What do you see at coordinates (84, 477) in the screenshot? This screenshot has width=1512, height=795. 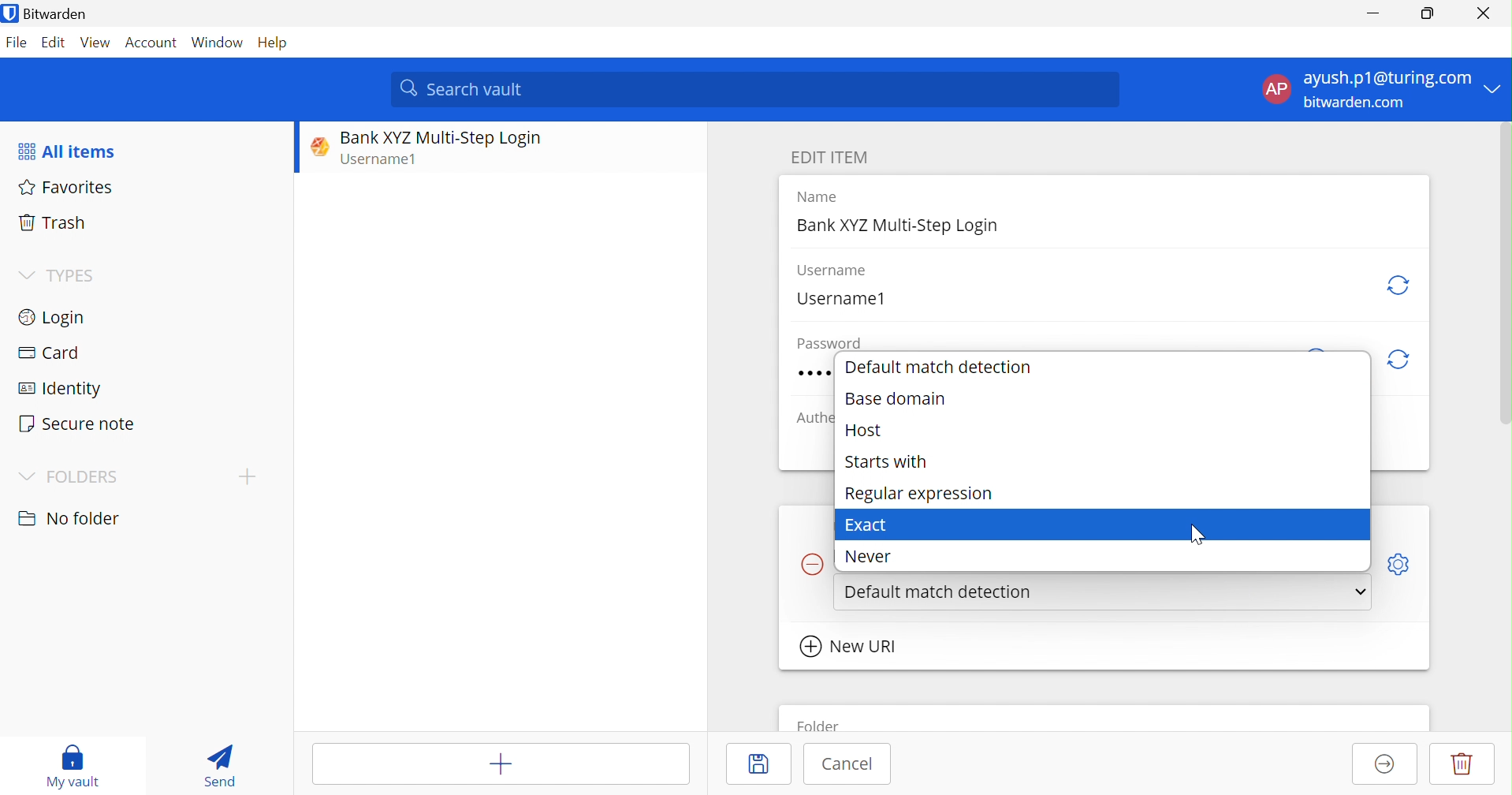 I see `FOLDERS` at bounding box center [84, 477].